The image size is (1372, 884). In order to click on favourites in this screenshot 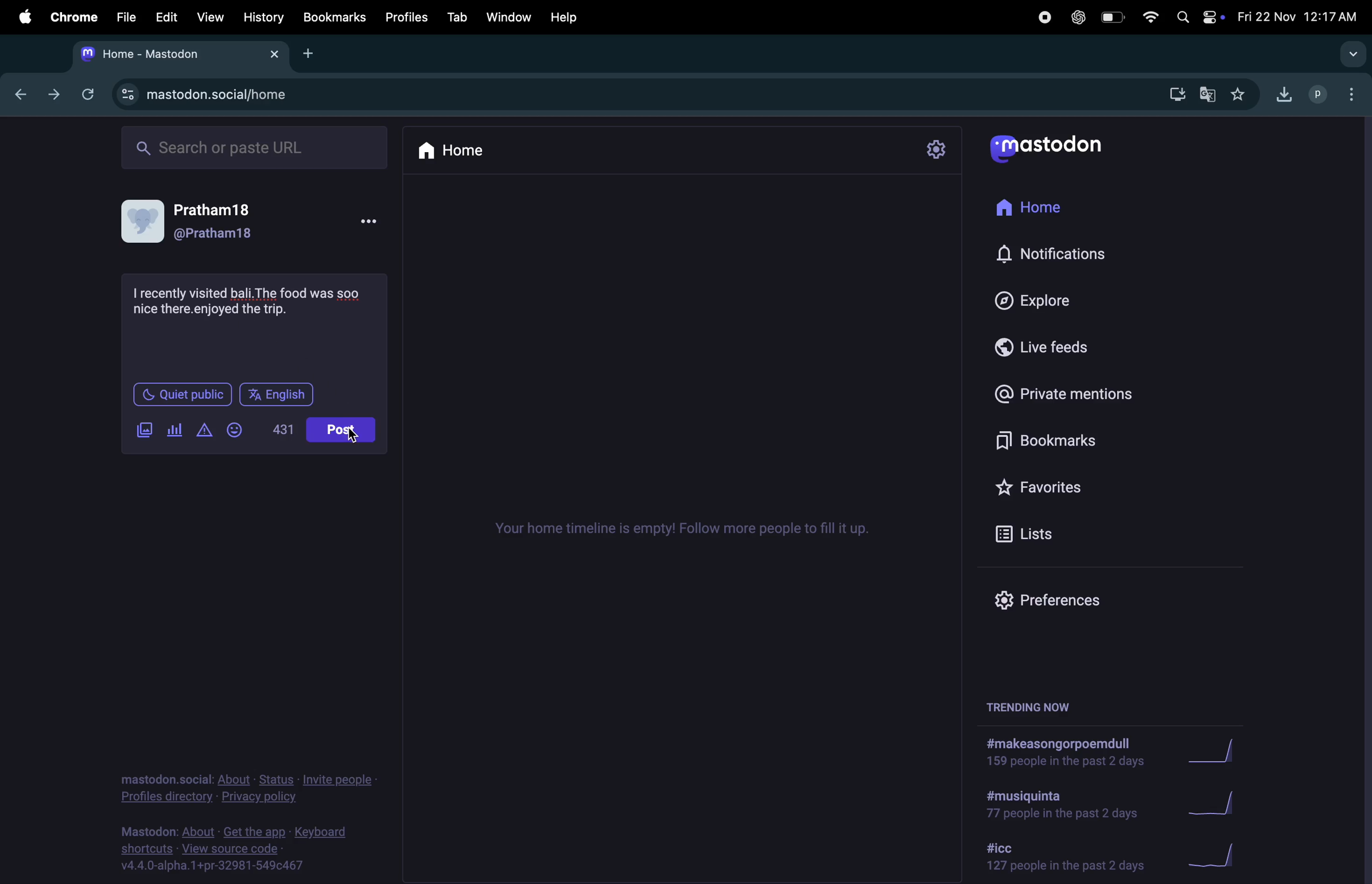, I will do `click(1241, 96)`.